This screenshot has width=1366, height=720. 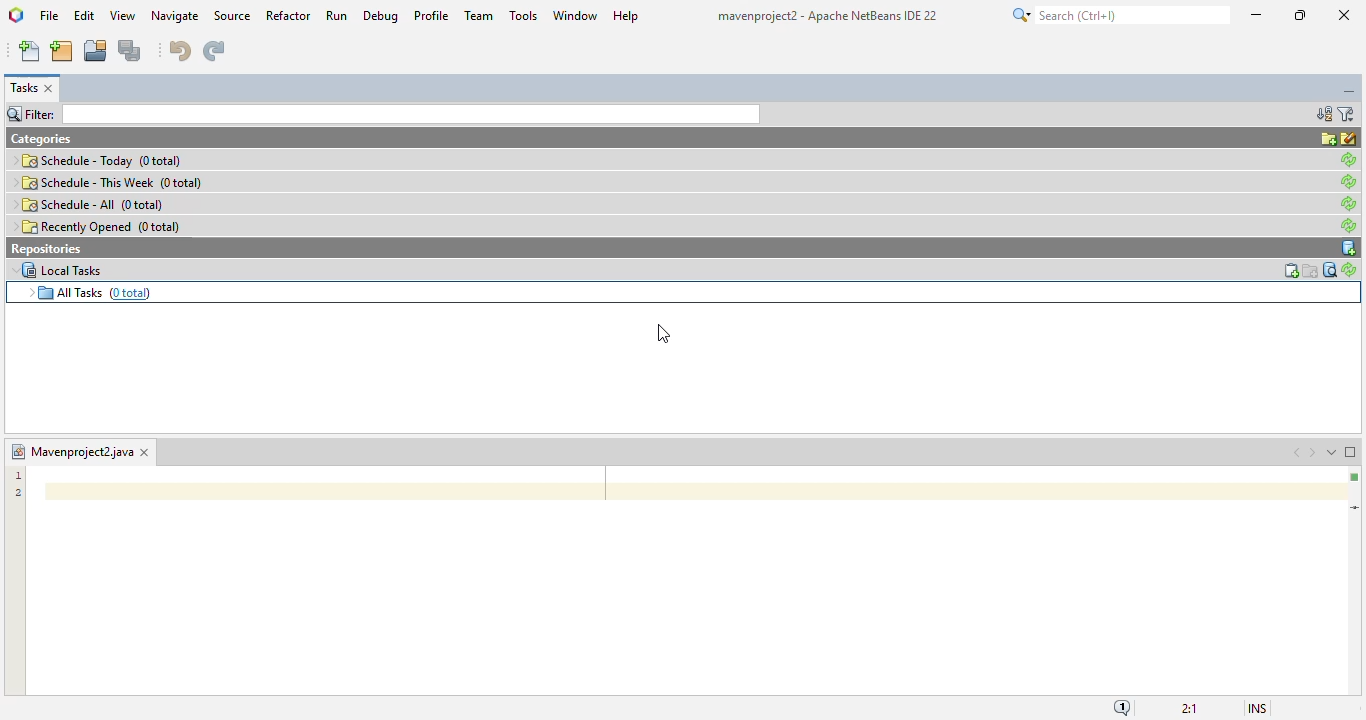 What do you see at coordinates (1300, 15) in the screenshot?
I see `maximize` at bounding box center [1300, 15].